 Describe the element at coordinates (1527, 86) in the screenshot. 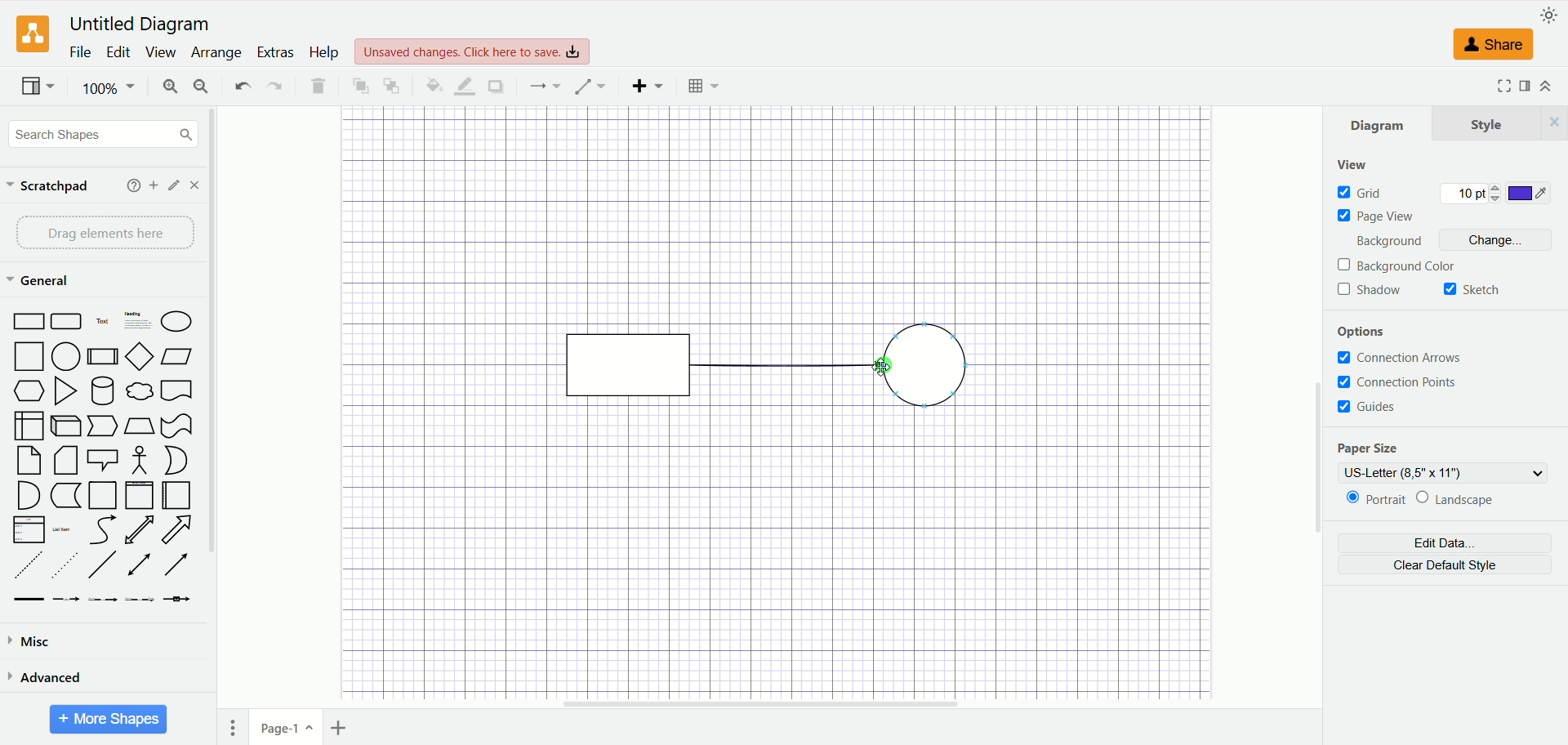

I see `format` at that location.